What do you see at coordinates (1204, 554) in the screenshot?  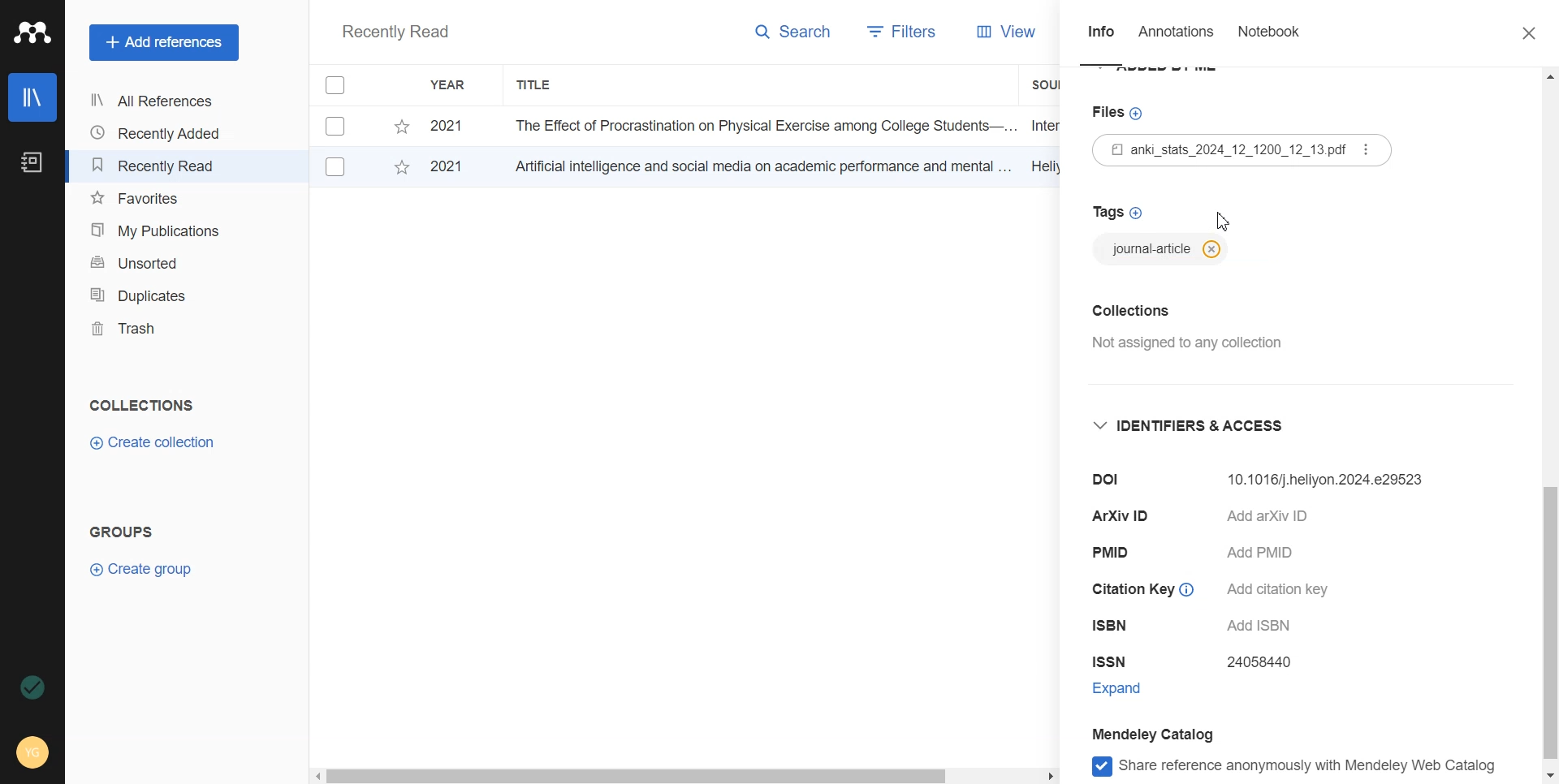 I see `PMID Add PMID` at bounding box center [1204, 554].